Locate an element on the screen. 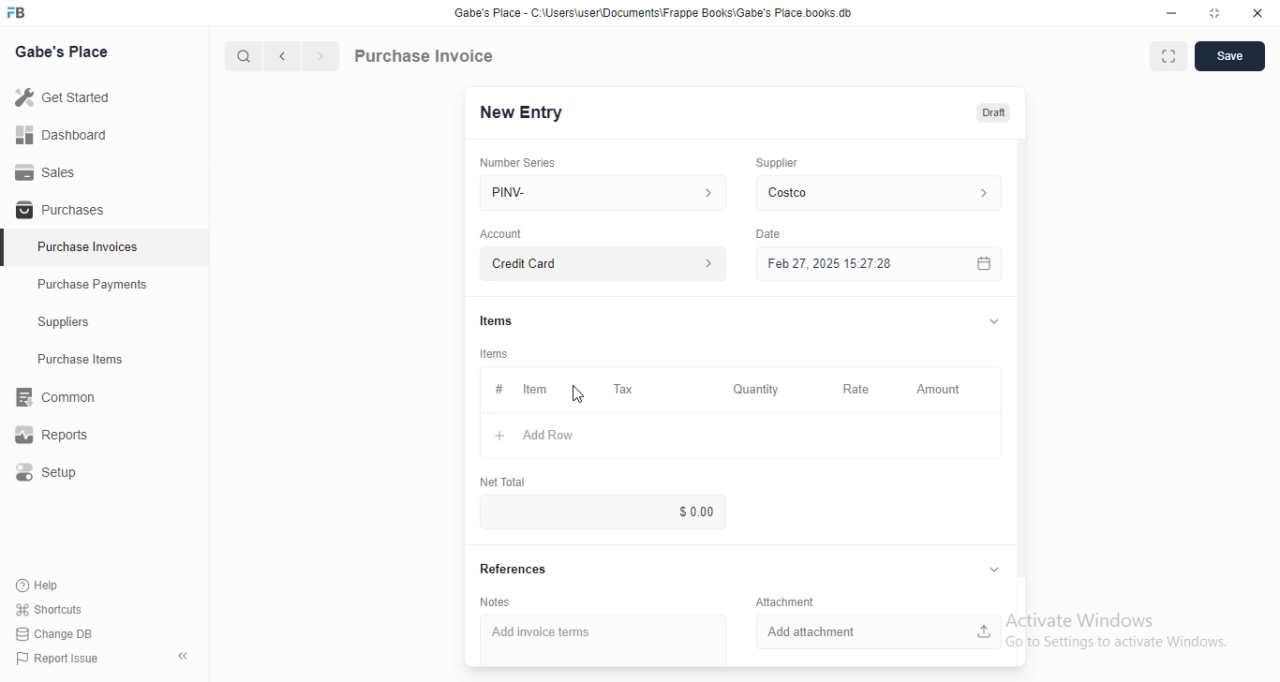 Image resolution: width=1280 pixels, height=682 pixels. Help is located at coordinates (49, 586).